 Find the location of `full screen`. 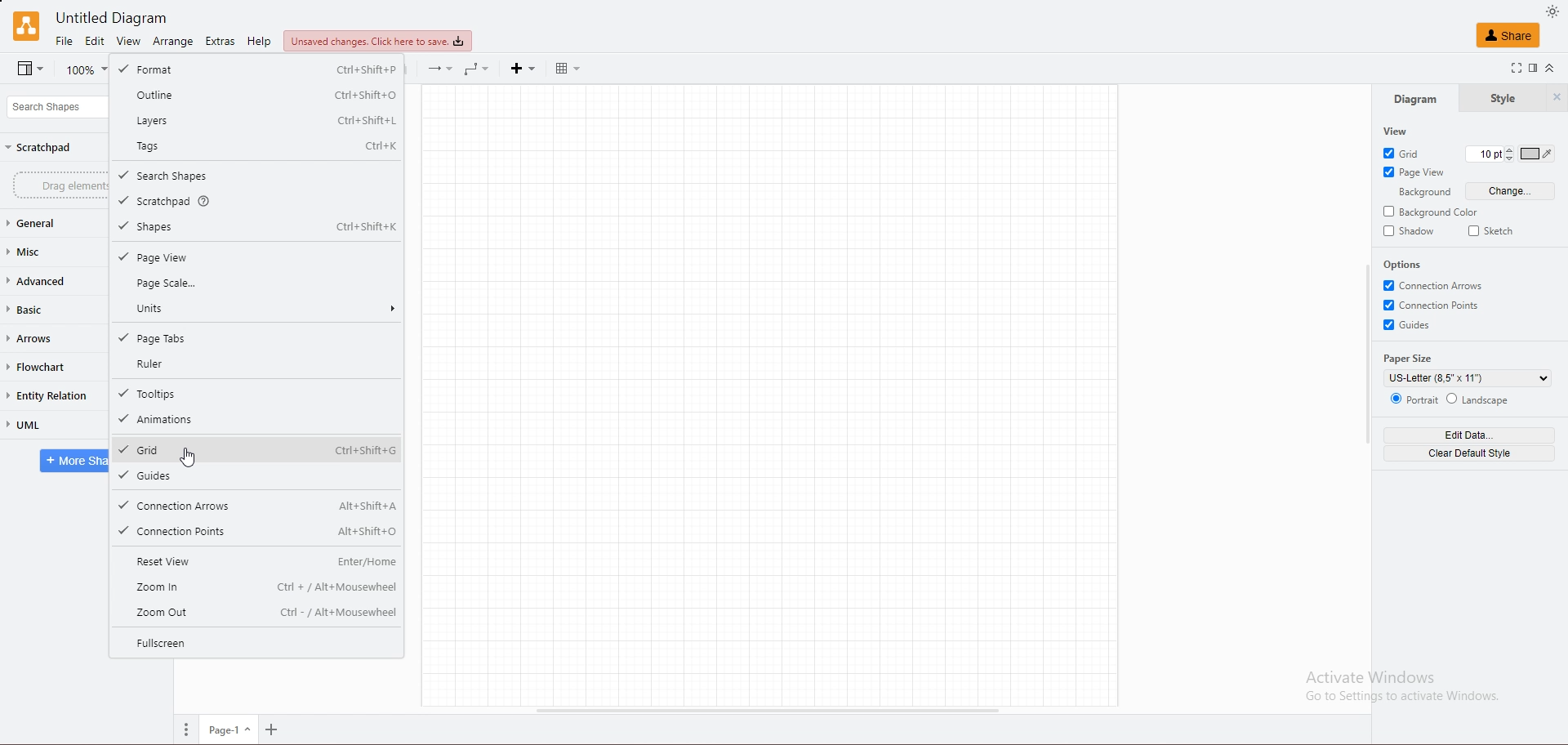

full screen is located at coordinates (1512, 69).